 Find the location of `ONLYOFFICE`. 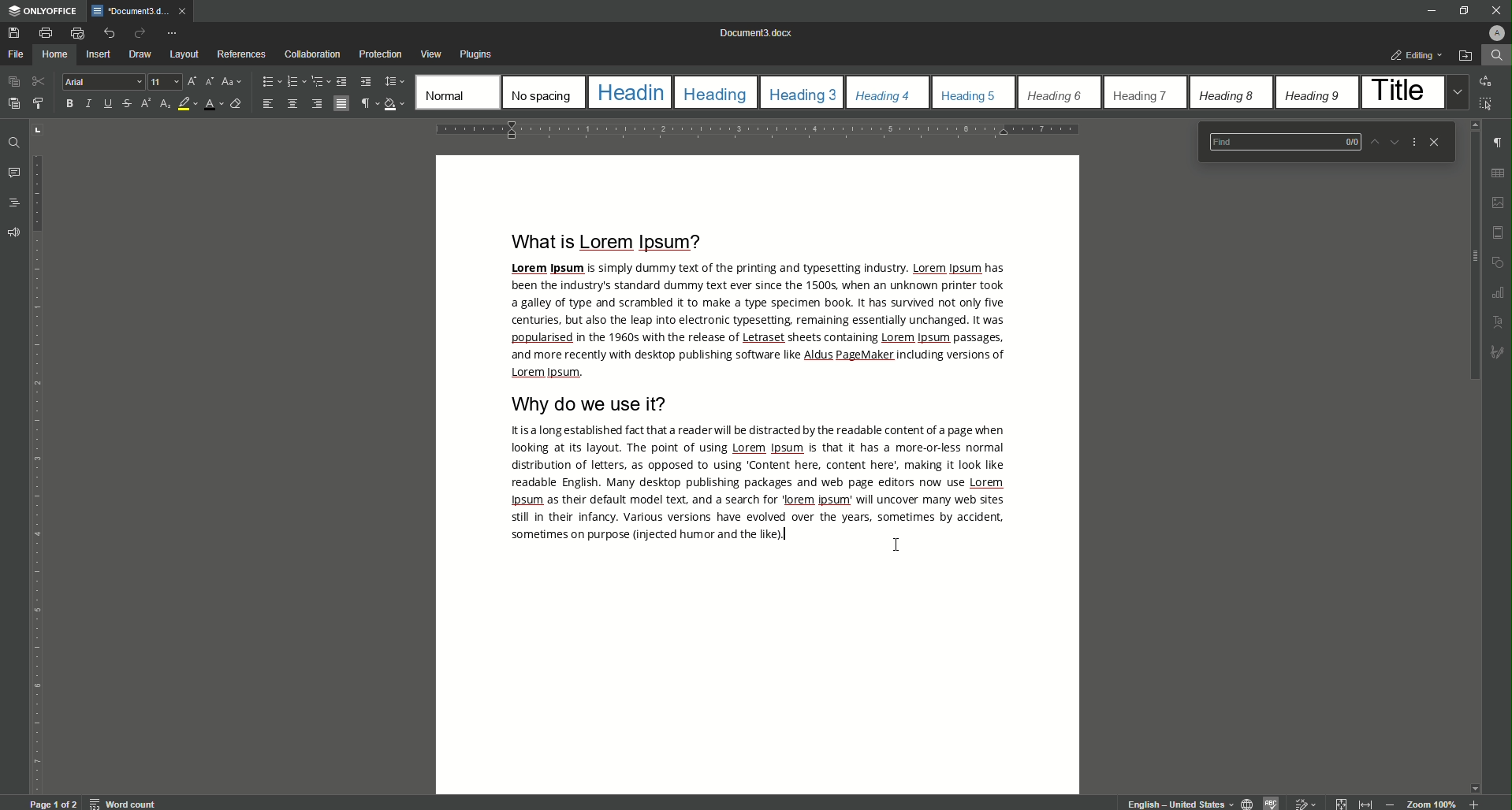

ONLYOFFICE is located at coordinates (40, 10).